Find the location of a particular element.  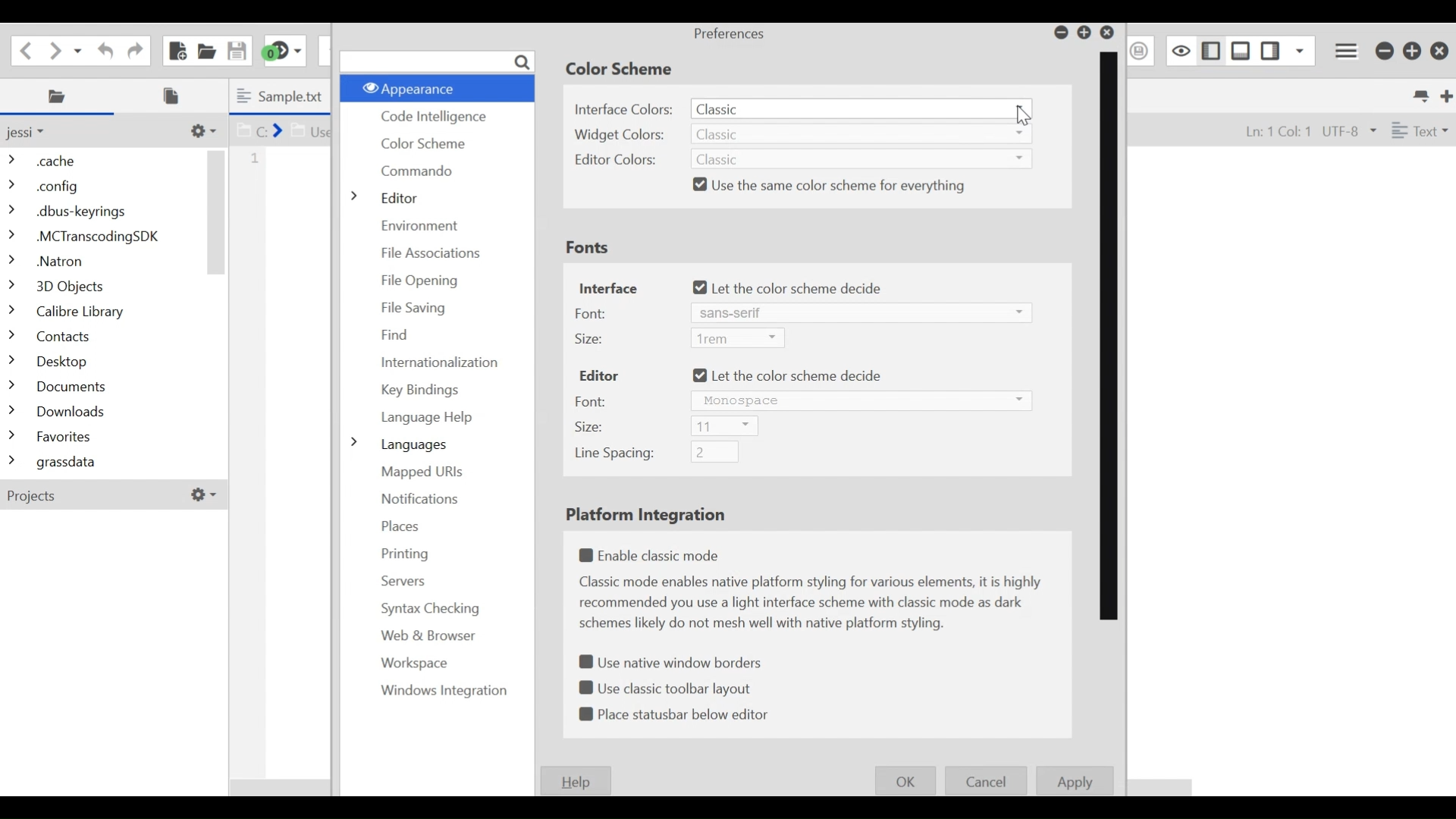

Show/Hide Right pane is located at coordinates (1209, 49).